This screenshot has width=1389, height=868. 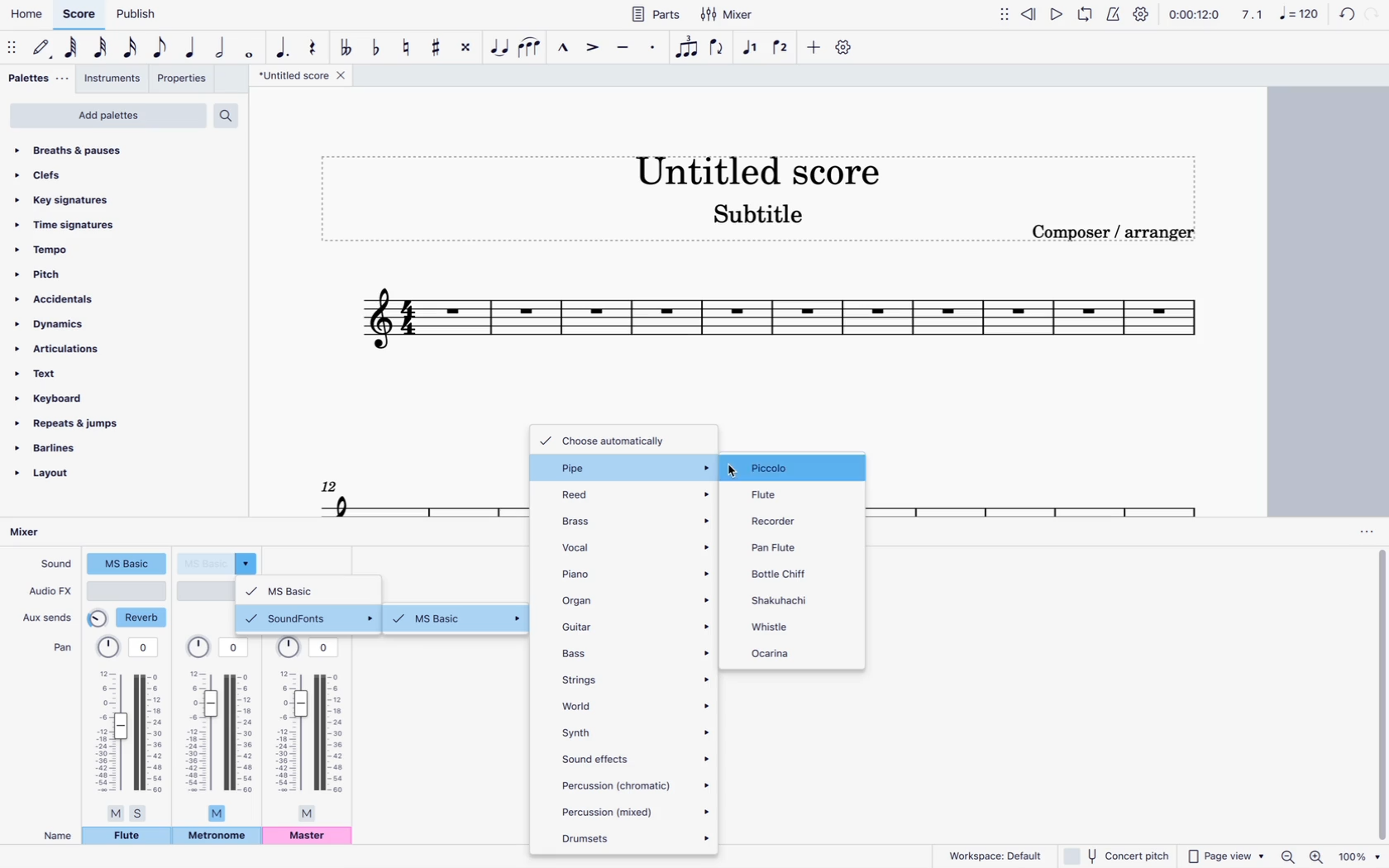 I want to click on settings, so click(x=845, y=48).